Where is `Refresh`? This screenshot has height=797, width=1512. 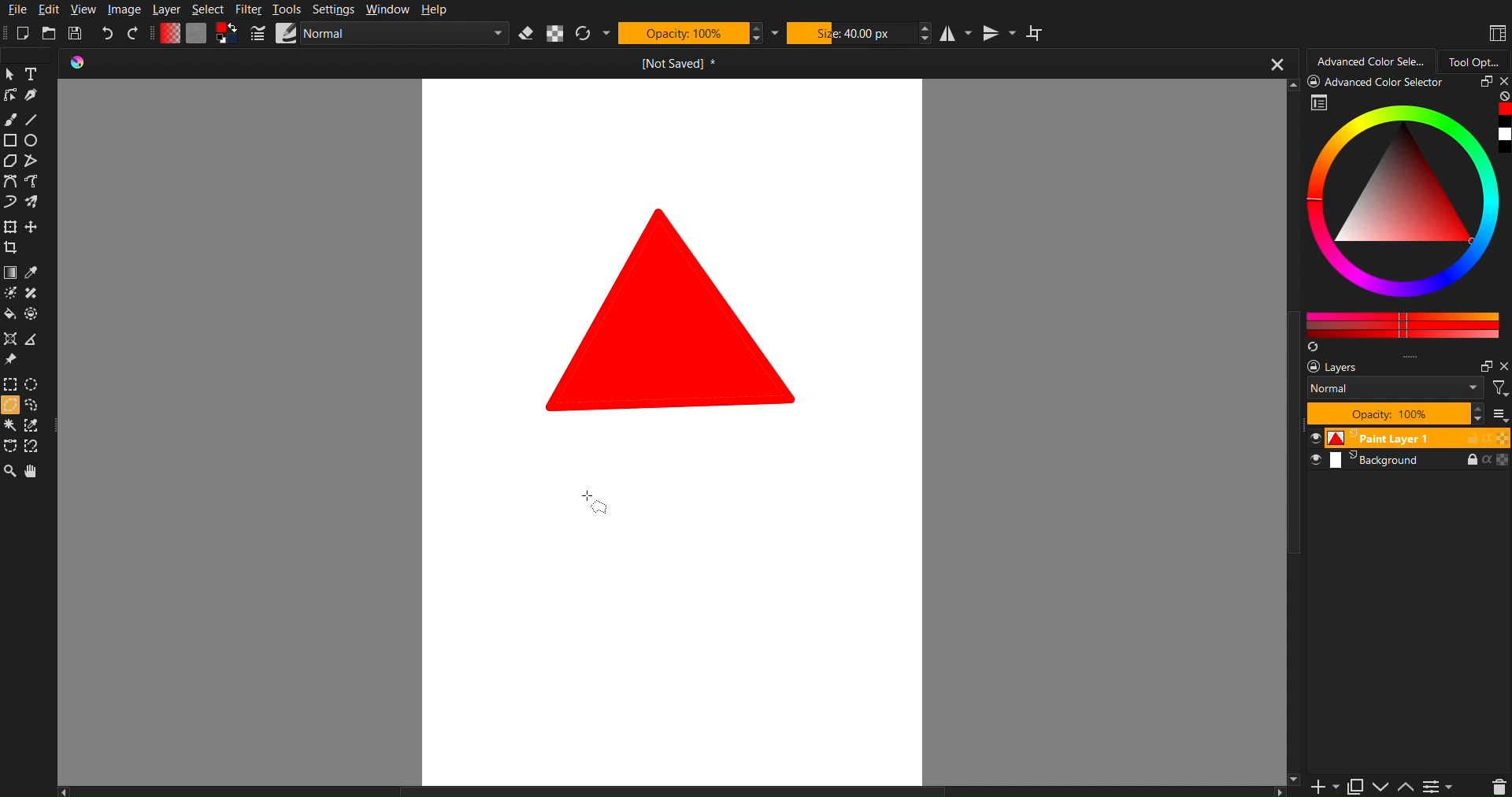 Refresh is located at coordinates (585, 31).